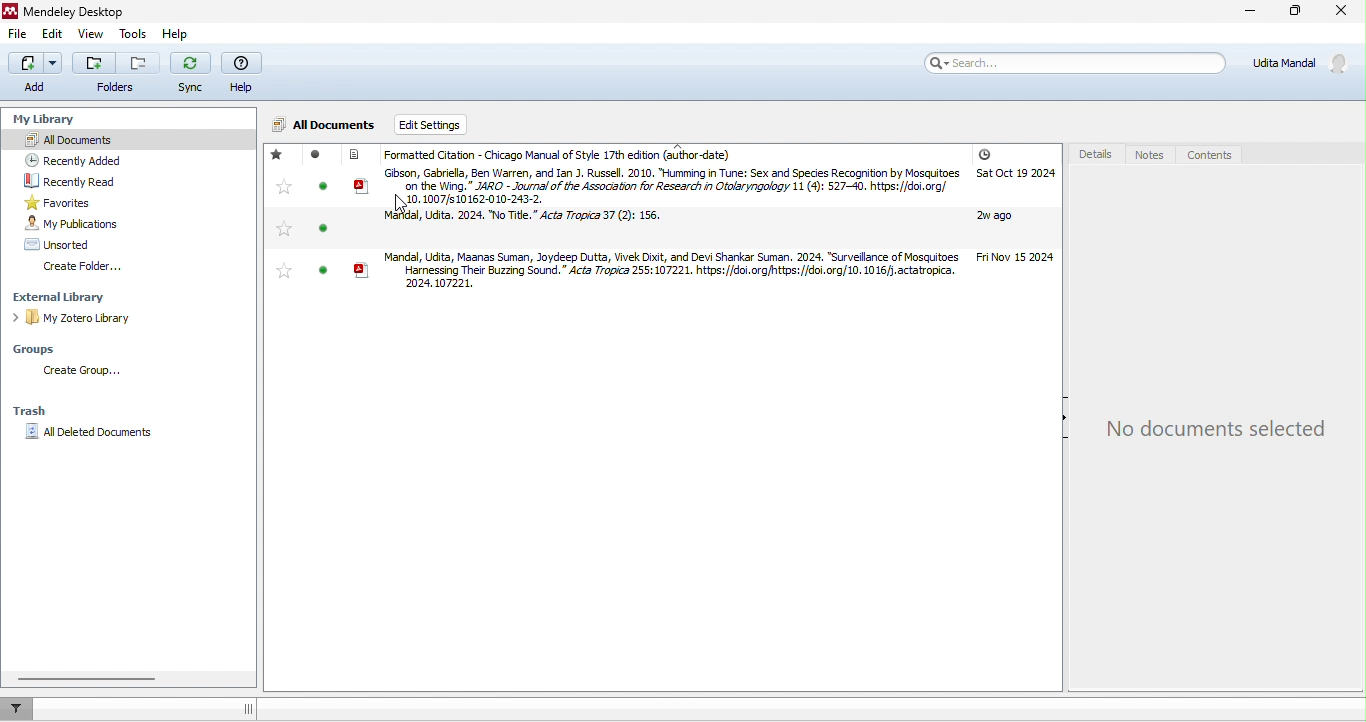 Image resolution: width=1366 pixels, height=722 pixels. I want to click on horizontal scroll bar, so click(88, 677).